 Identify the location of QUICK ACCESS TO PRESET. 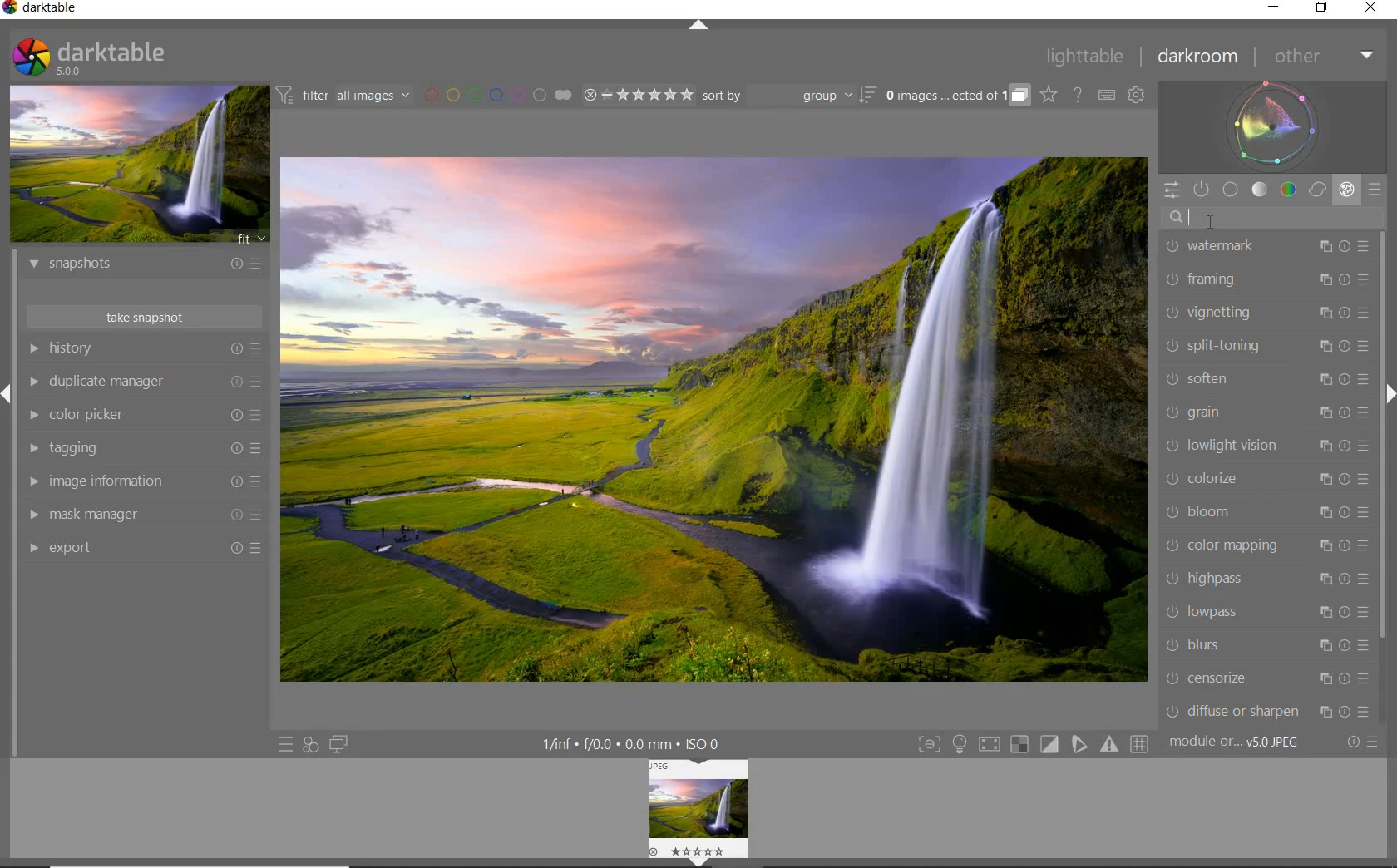
(285, 743).